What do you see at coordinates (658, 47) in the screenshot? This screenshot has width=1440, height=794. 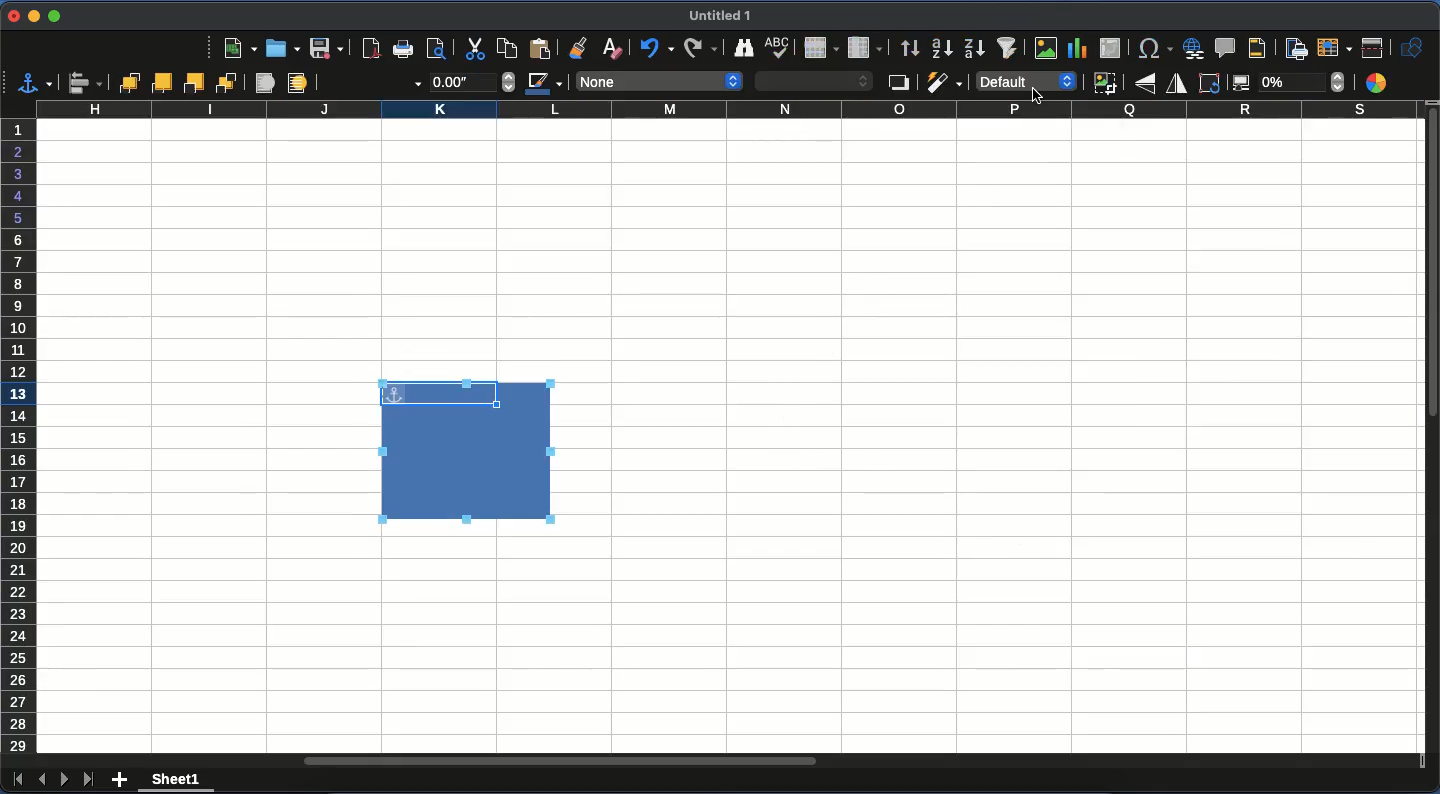 I see `undo` at bounding box center [658, 47].